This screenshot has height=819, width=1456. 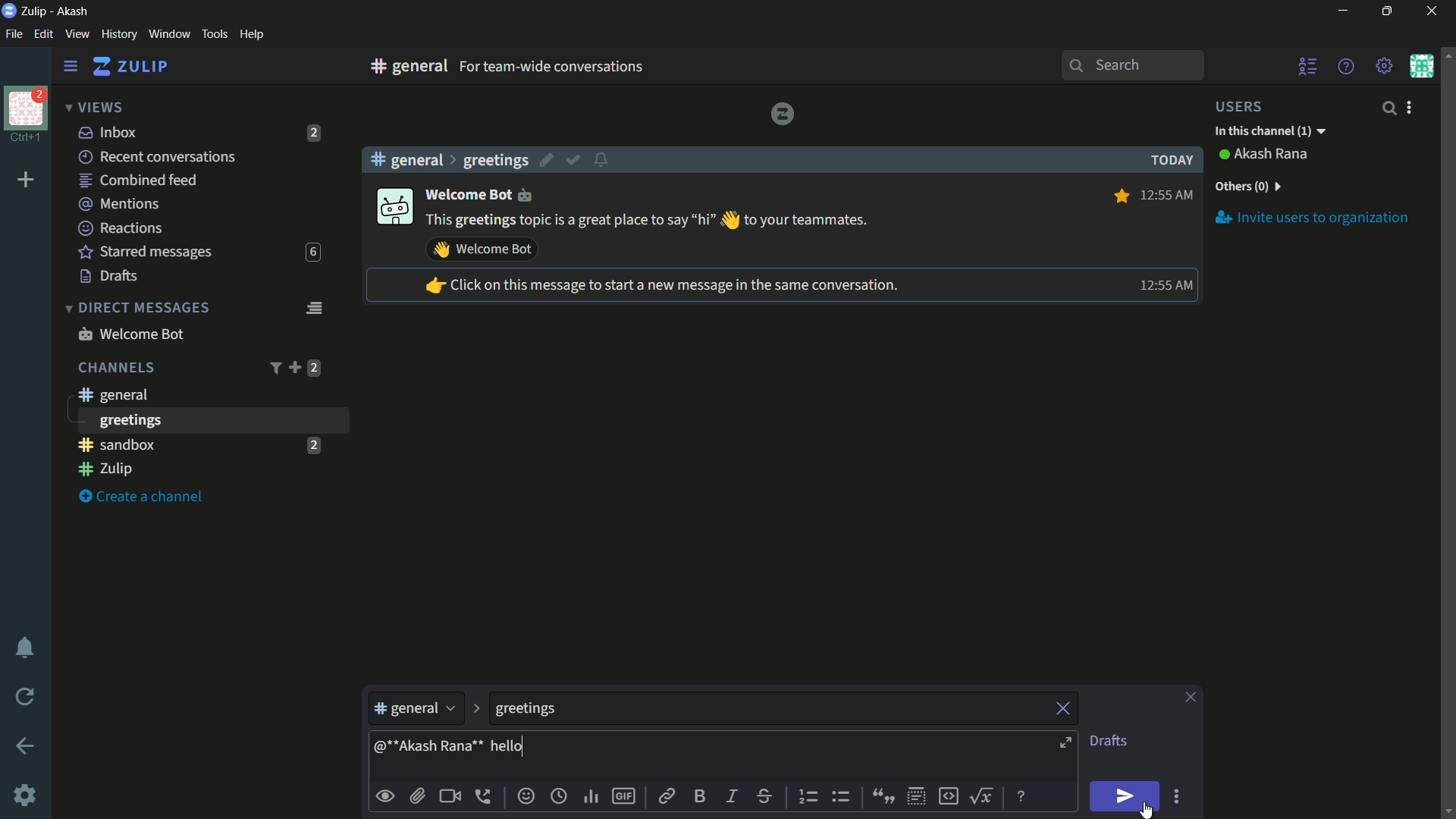 I want to click on maximize or restore, so click(x=1389, y=11).